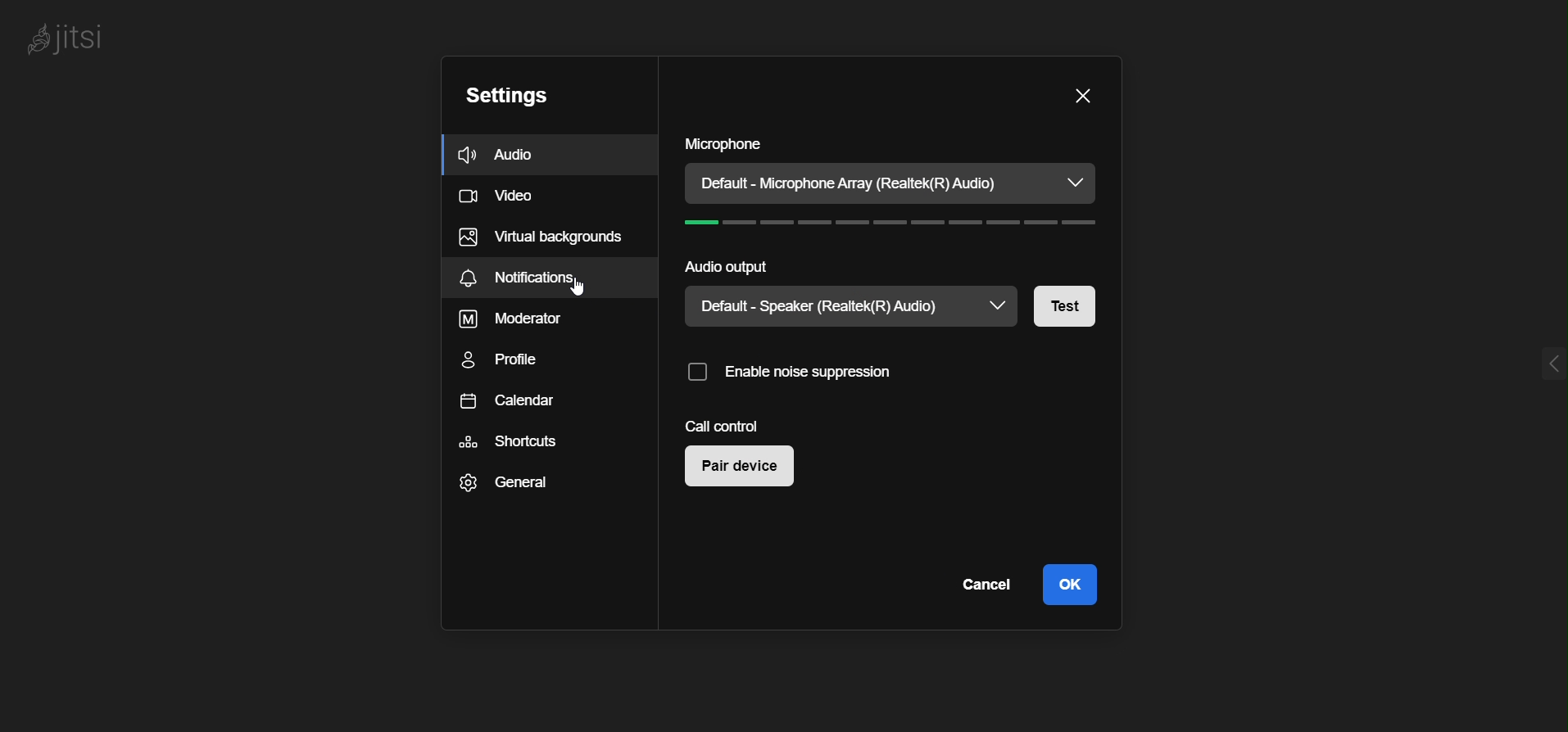  What do you see at coordinates (514, 407) in the screenshot?
I see `calendar` at bounding box center [514, 407].